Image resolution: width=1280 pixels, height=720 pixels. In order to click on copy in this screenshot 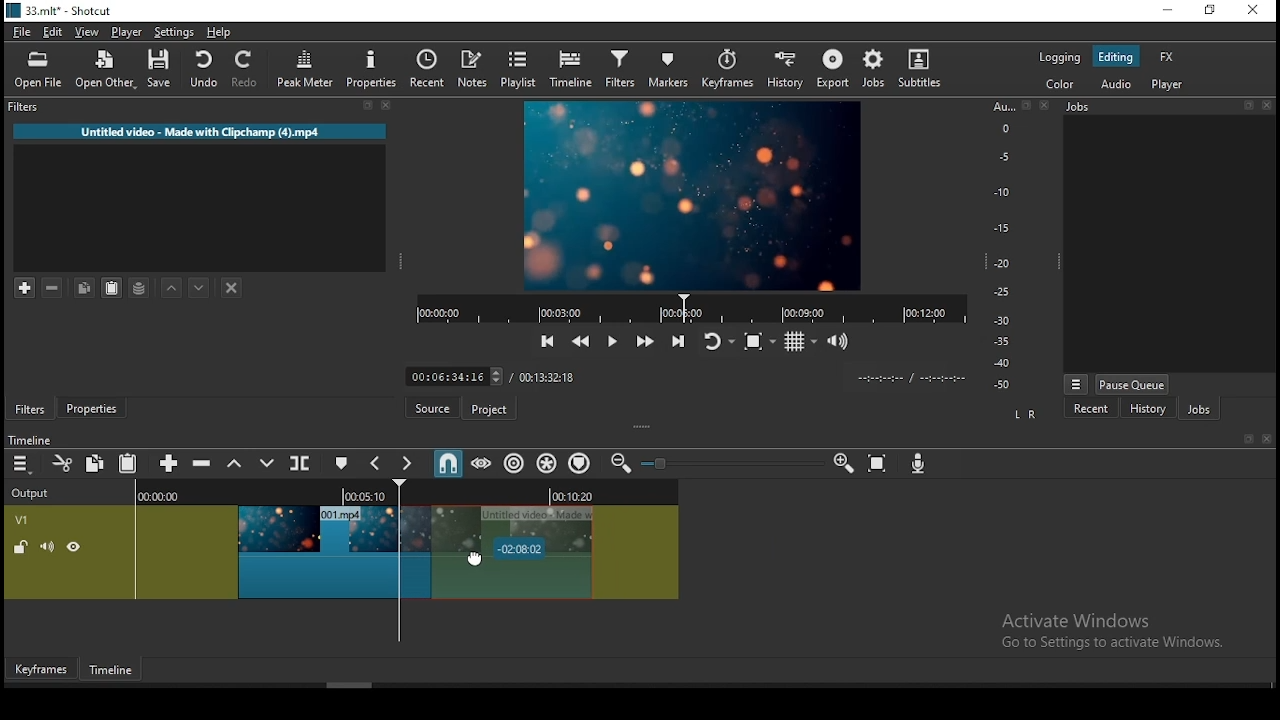, I will do `click(98, 463)`.